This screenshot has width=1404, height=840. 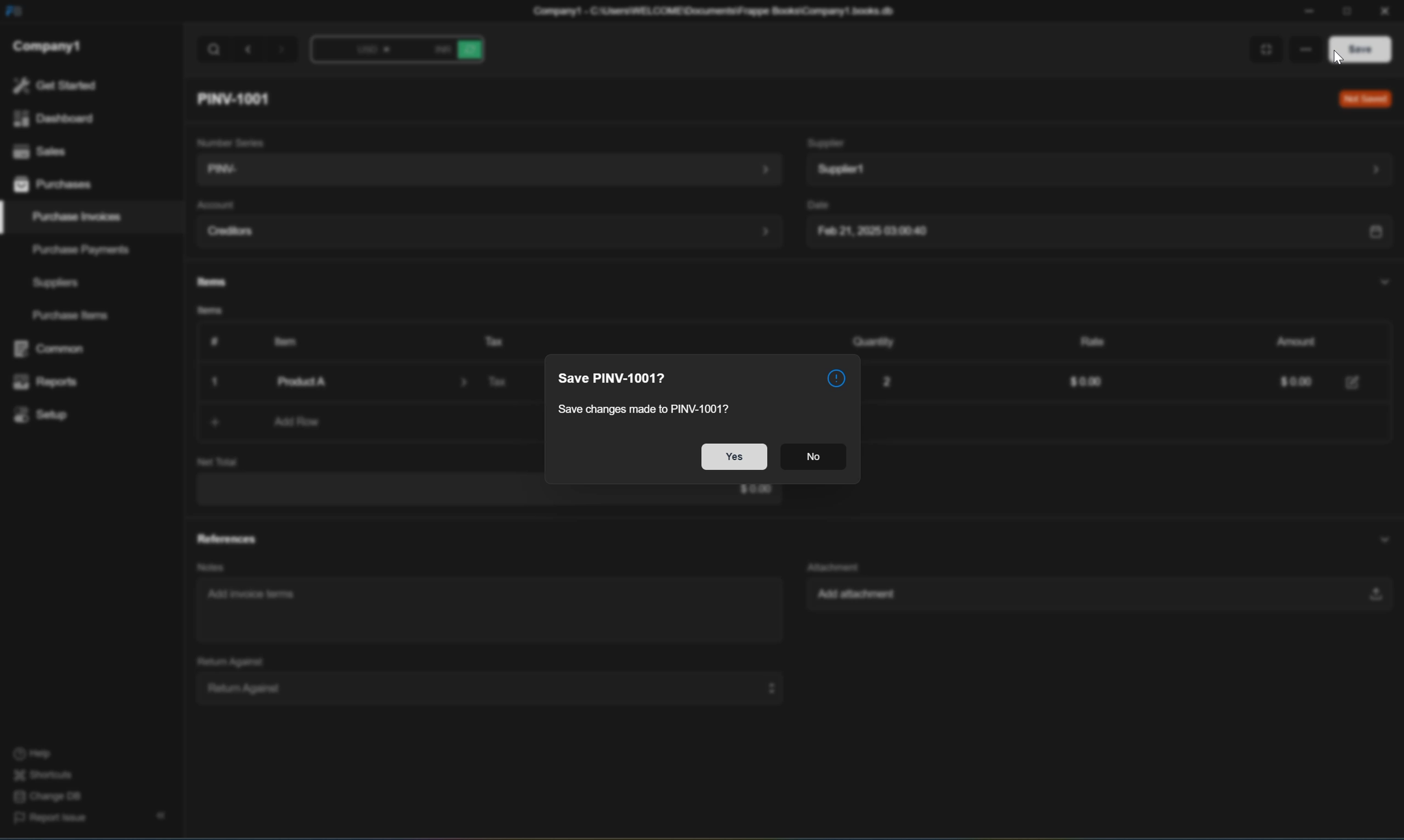 What do you see at coordinates (52, 349) in the screenshot?
I see `common` at bounding box center [52, 349].